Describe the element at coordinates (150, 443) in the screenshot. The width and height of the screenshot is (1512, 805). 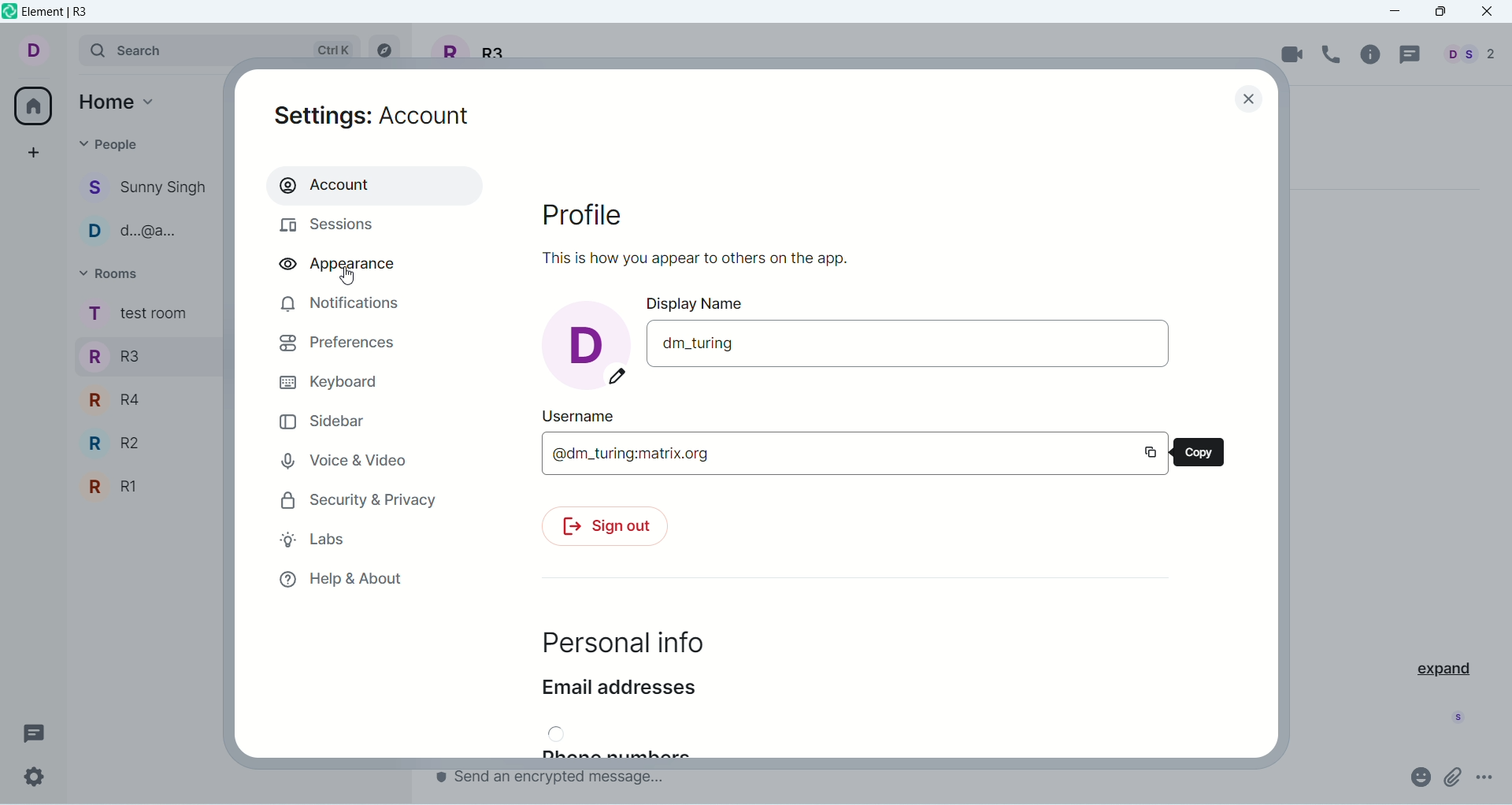
I see `R2` at that location.